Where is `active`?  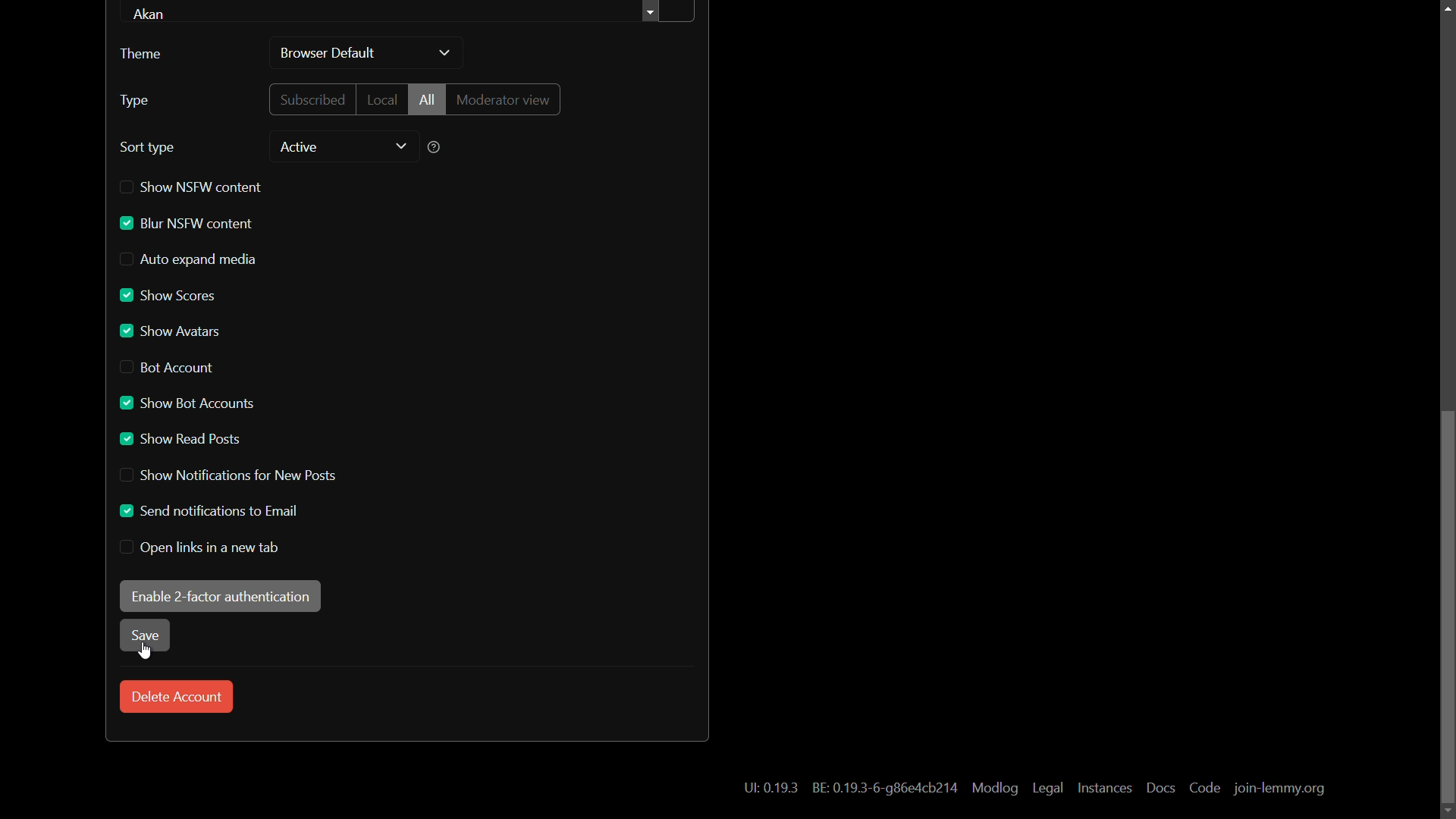 active is located at coordinates (297, 147).